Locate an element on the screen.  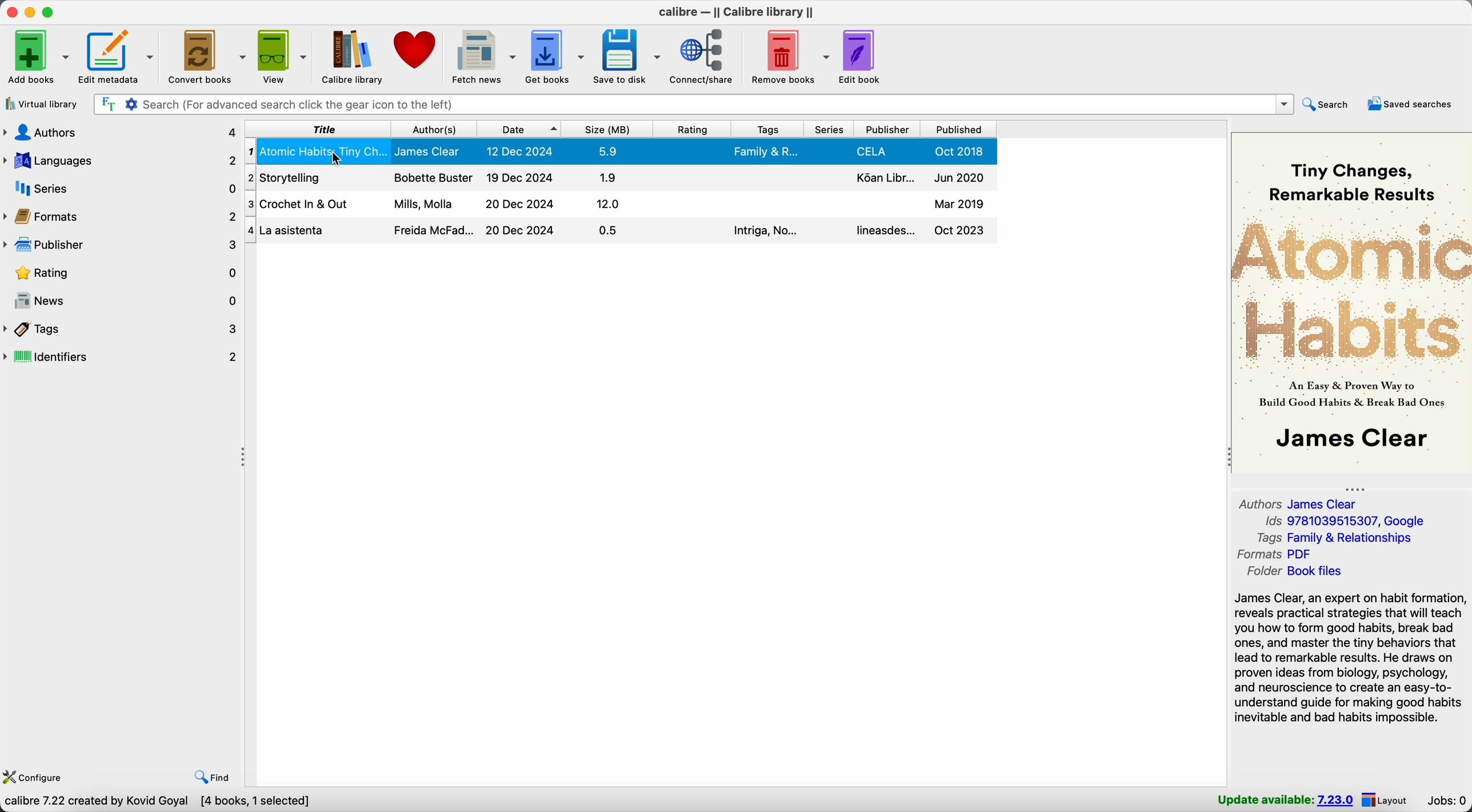
update available is located at coordinates (1282, 800).